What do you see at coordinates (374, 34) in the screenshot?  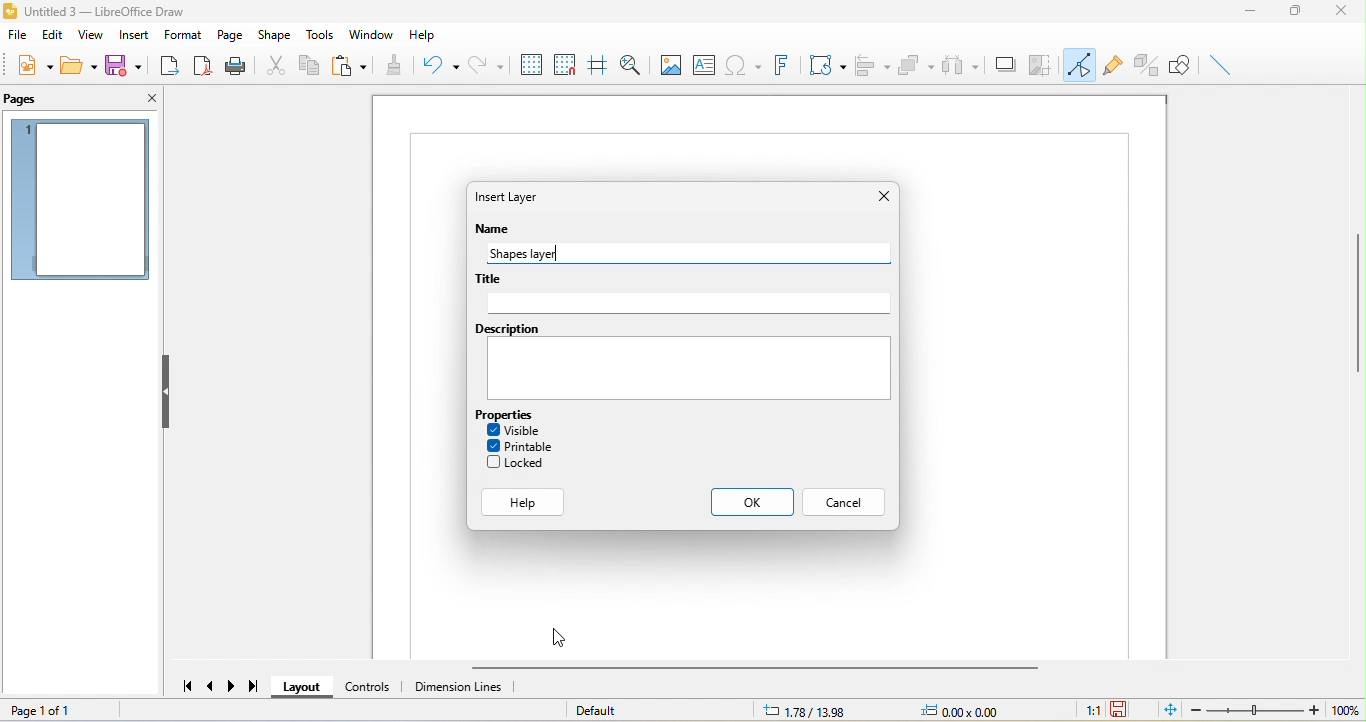 I see `window` at bounding box center [374, 34].